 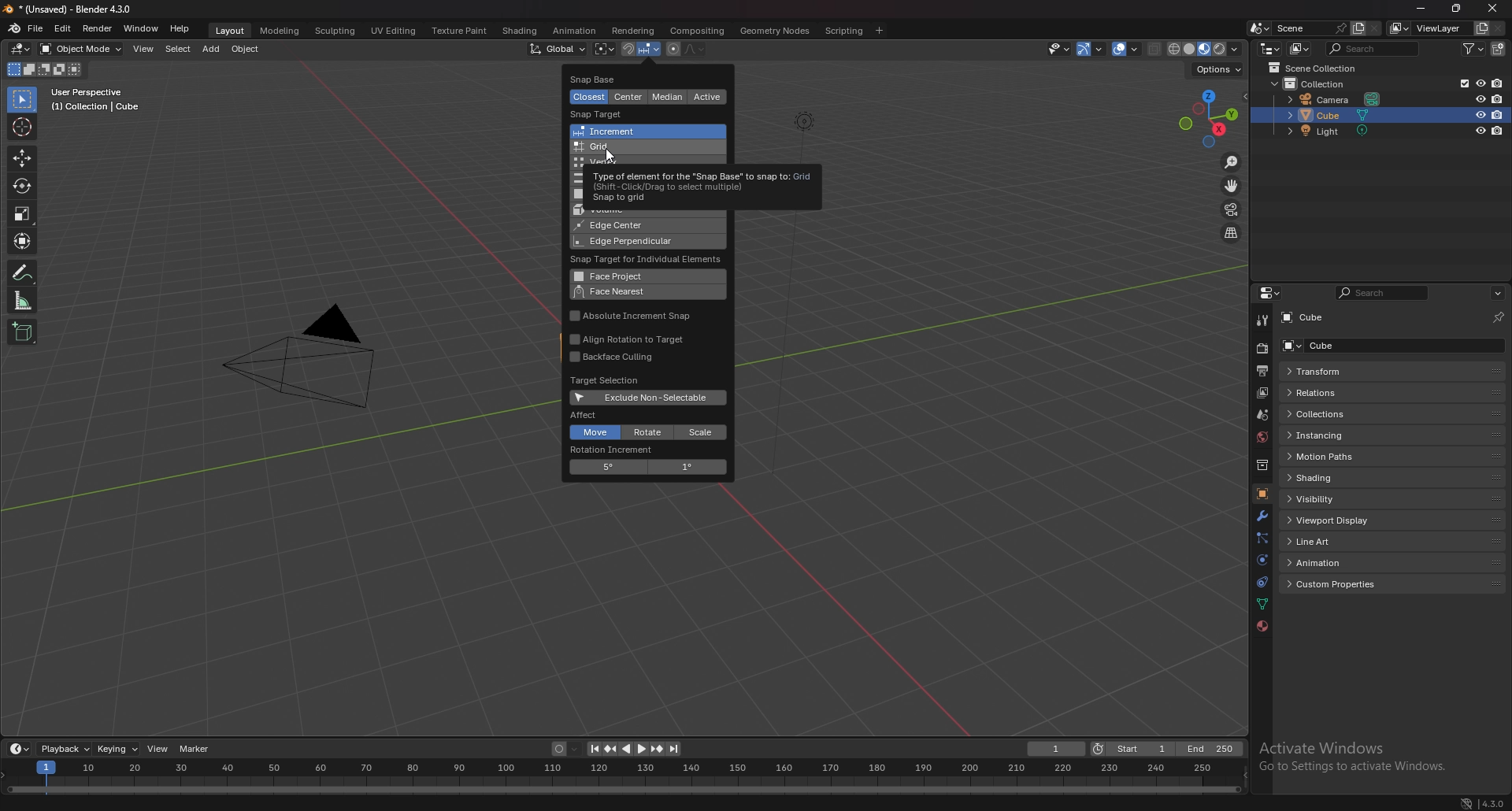 What do you see at coordinates (1498, 131) in the screenshot?
I see `disable in renders` at bounding box center [1498, 131].